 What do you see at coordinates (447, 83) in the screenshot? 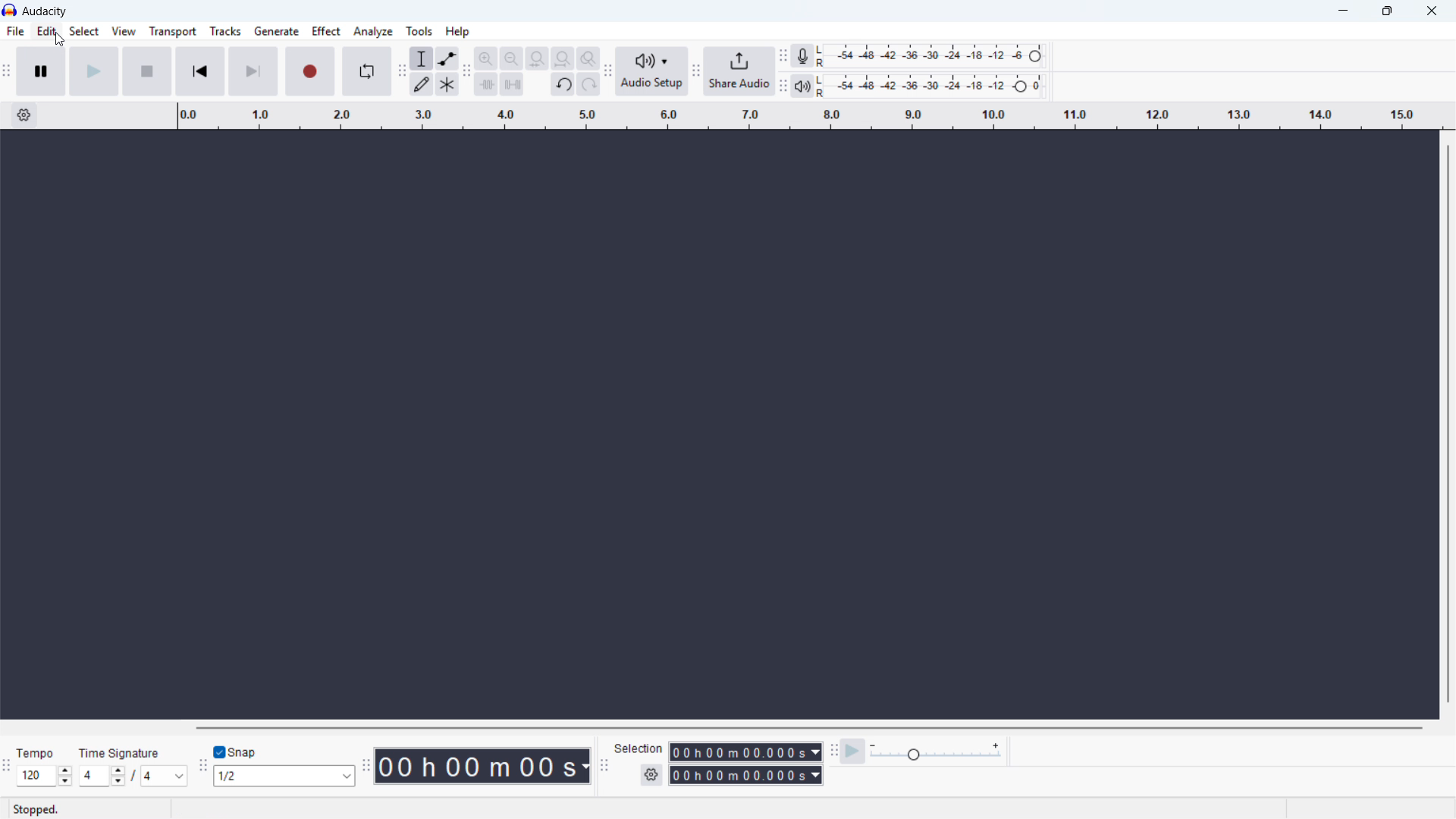
I see `multi tool` at bounding box center [447, 83].